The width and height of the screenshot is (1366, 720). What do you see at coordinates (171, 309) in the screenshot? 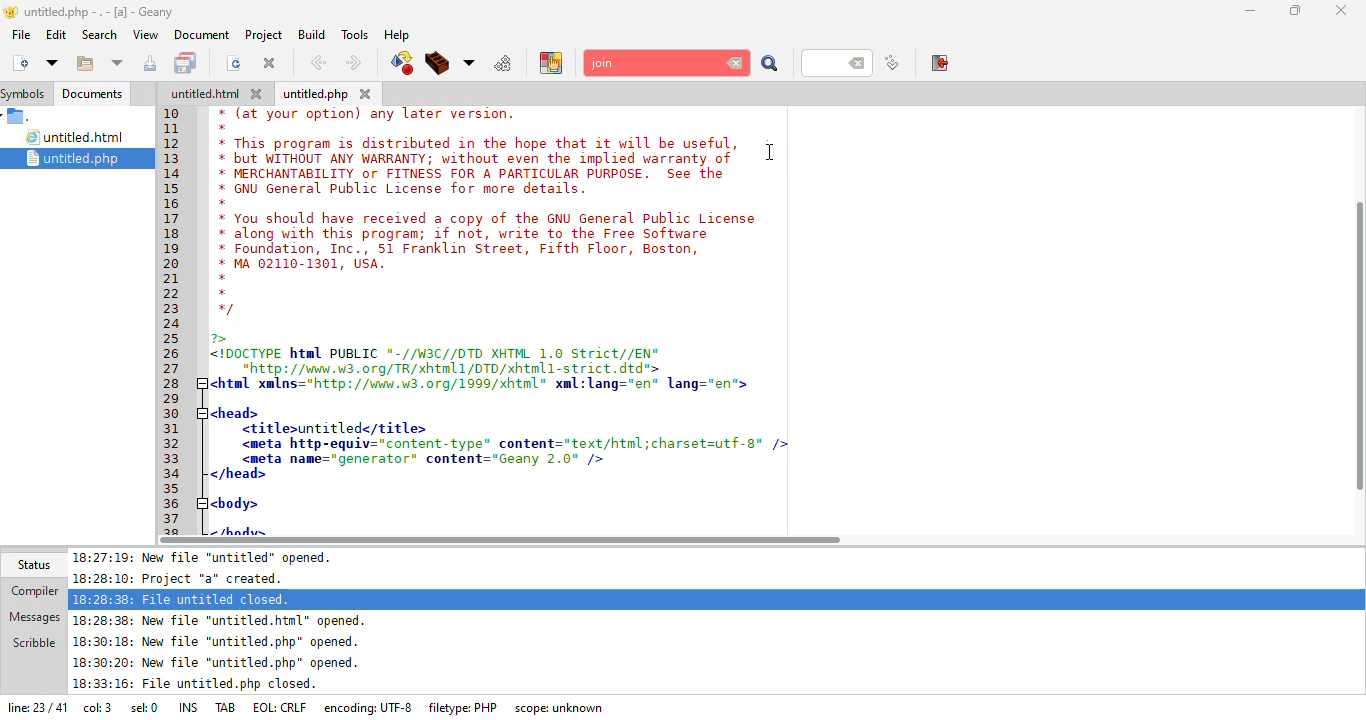
I see `23` at bounding box center [171, 309].